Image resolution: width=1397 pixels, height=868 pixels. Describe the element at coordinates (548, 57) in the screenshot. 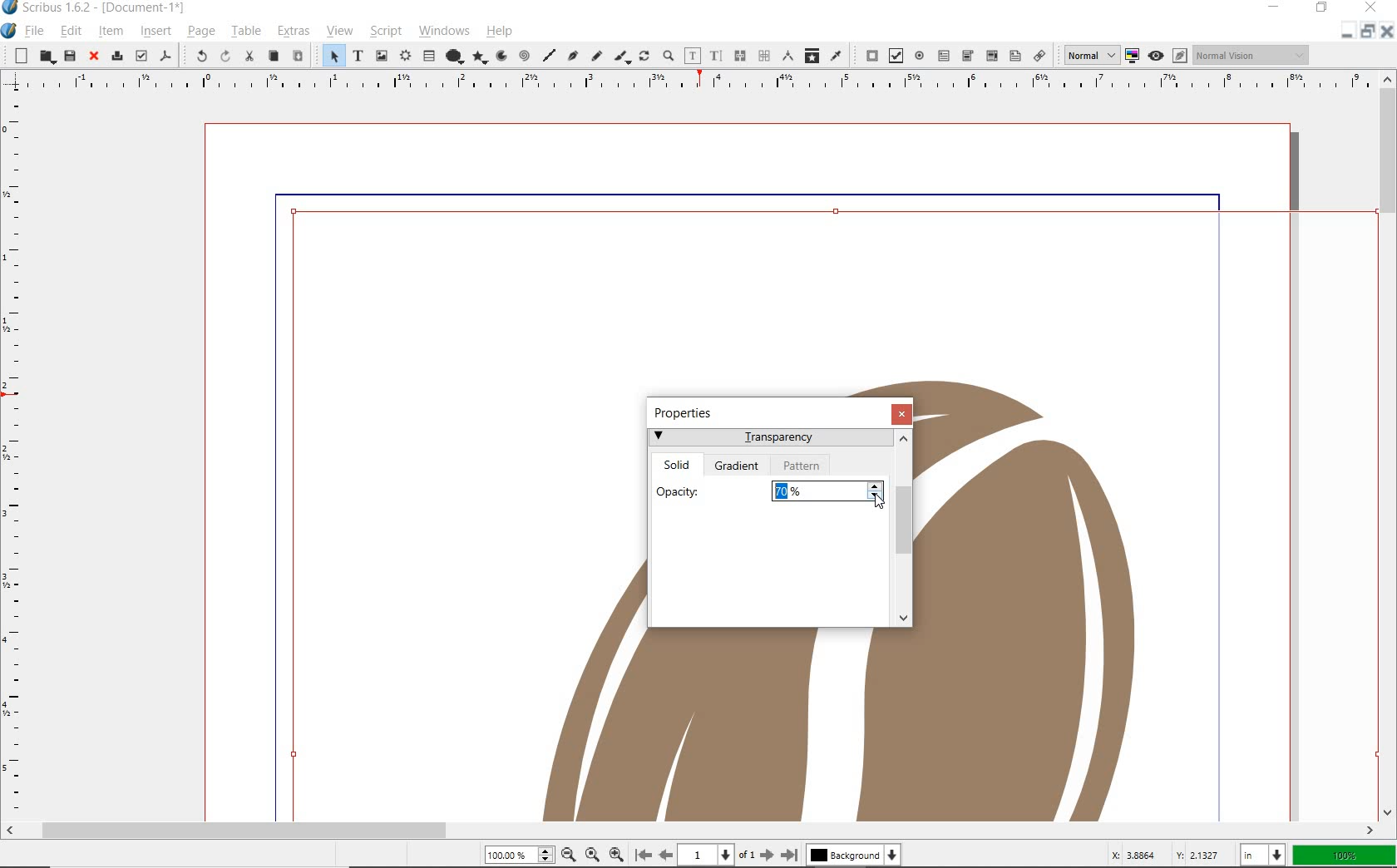

I see `line` at that location.